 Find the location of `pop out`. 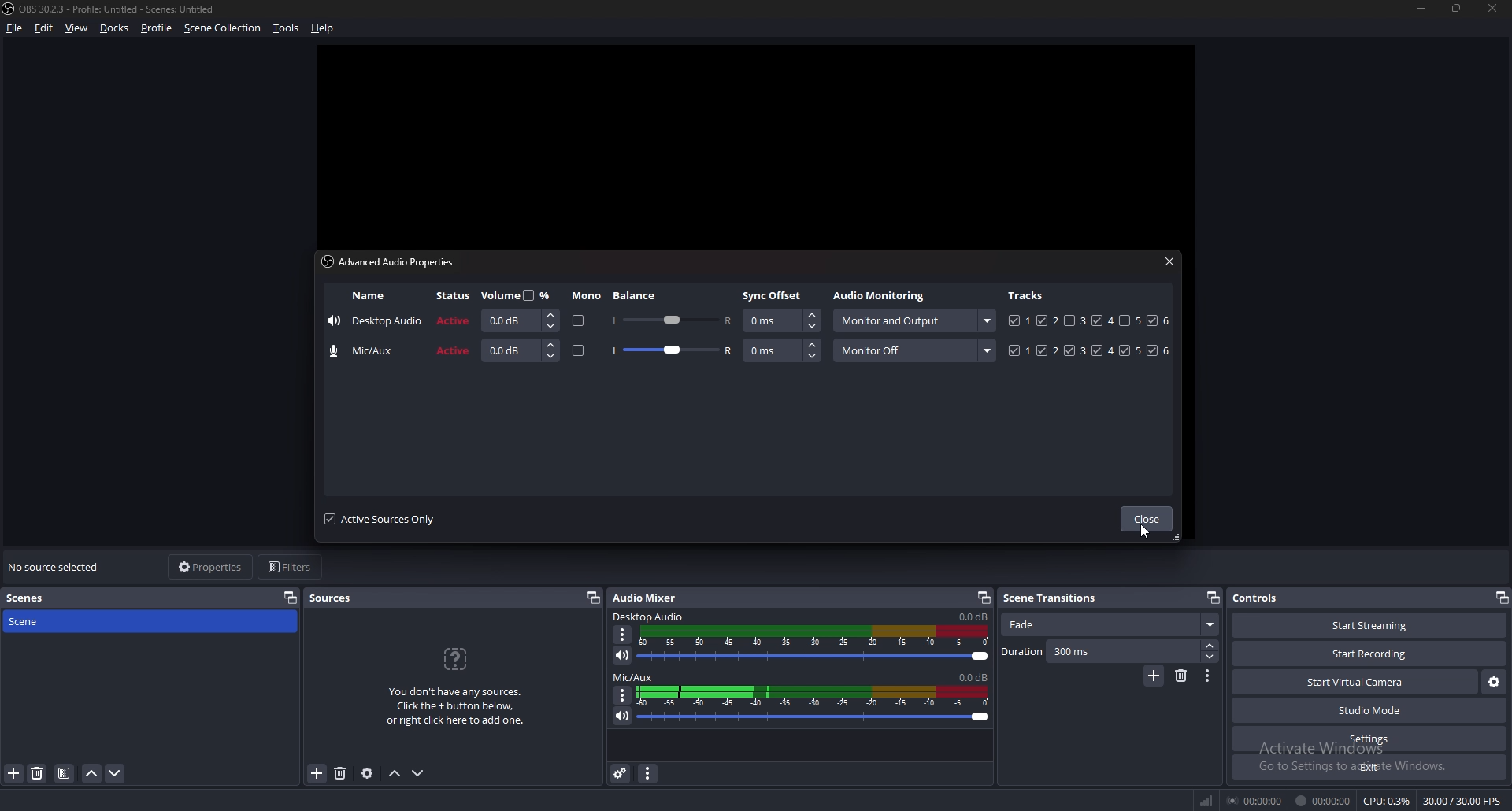

pop out is located at coordinates (594, 598).